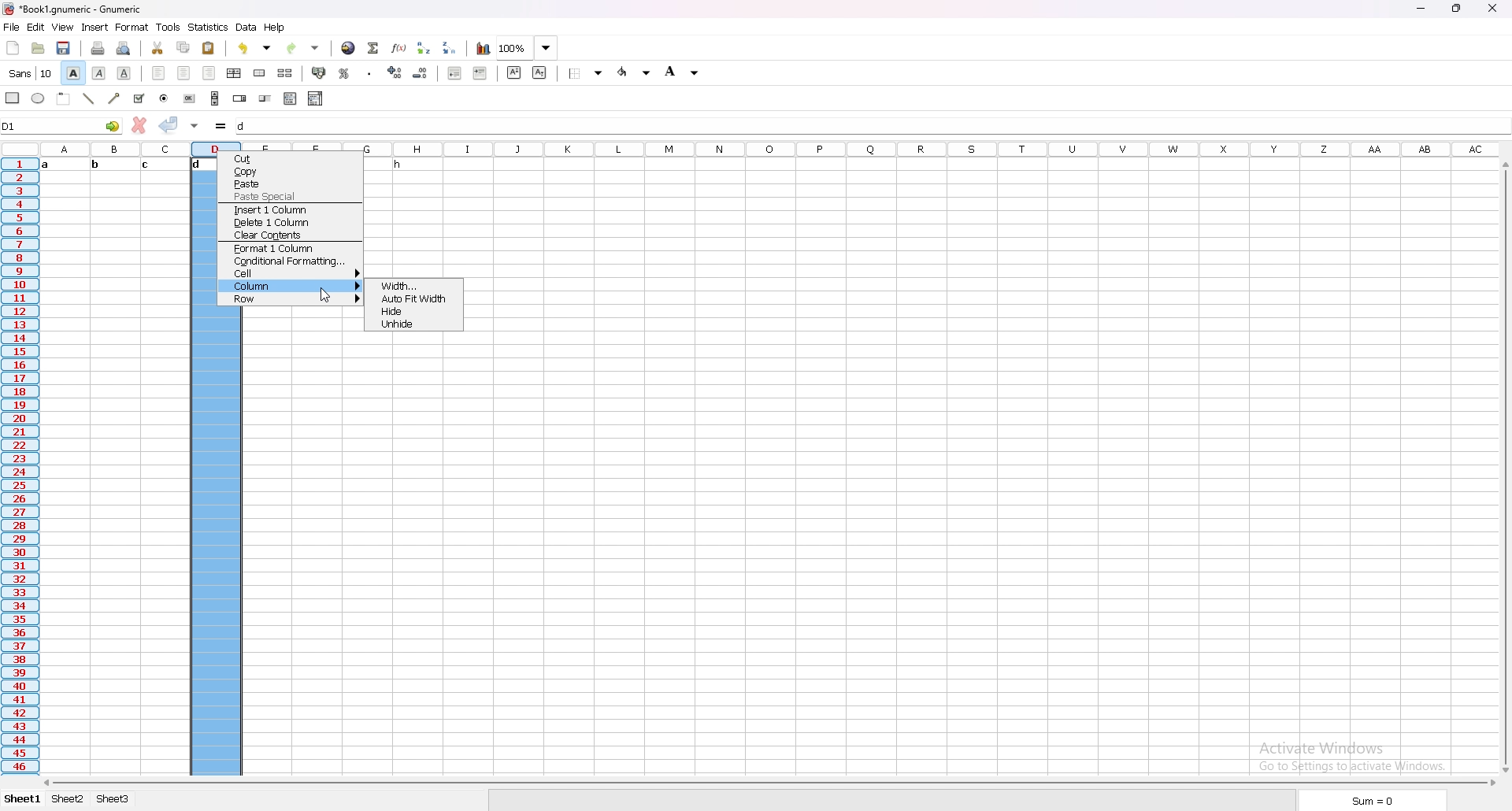  What do you see at coordinates (765, 147) in the screenshot?
I see `columns` at bounding box center [765, 147].